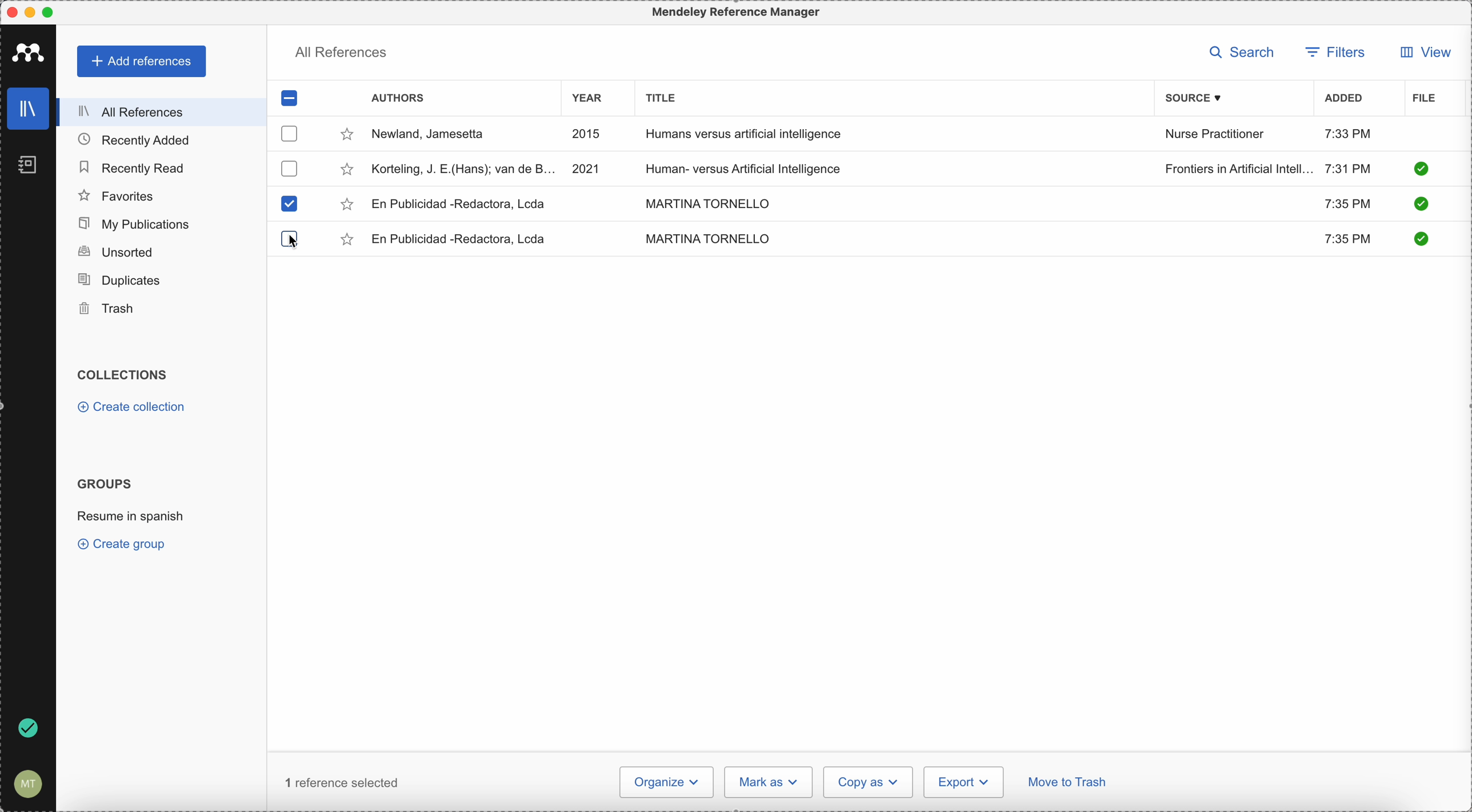 Image resolution: width=1472 pixels, height=812 pixels. Describe the element at coordinates (754, 167) in the screenshot. I see `Human-versus Artificial Intelligence` at that location.